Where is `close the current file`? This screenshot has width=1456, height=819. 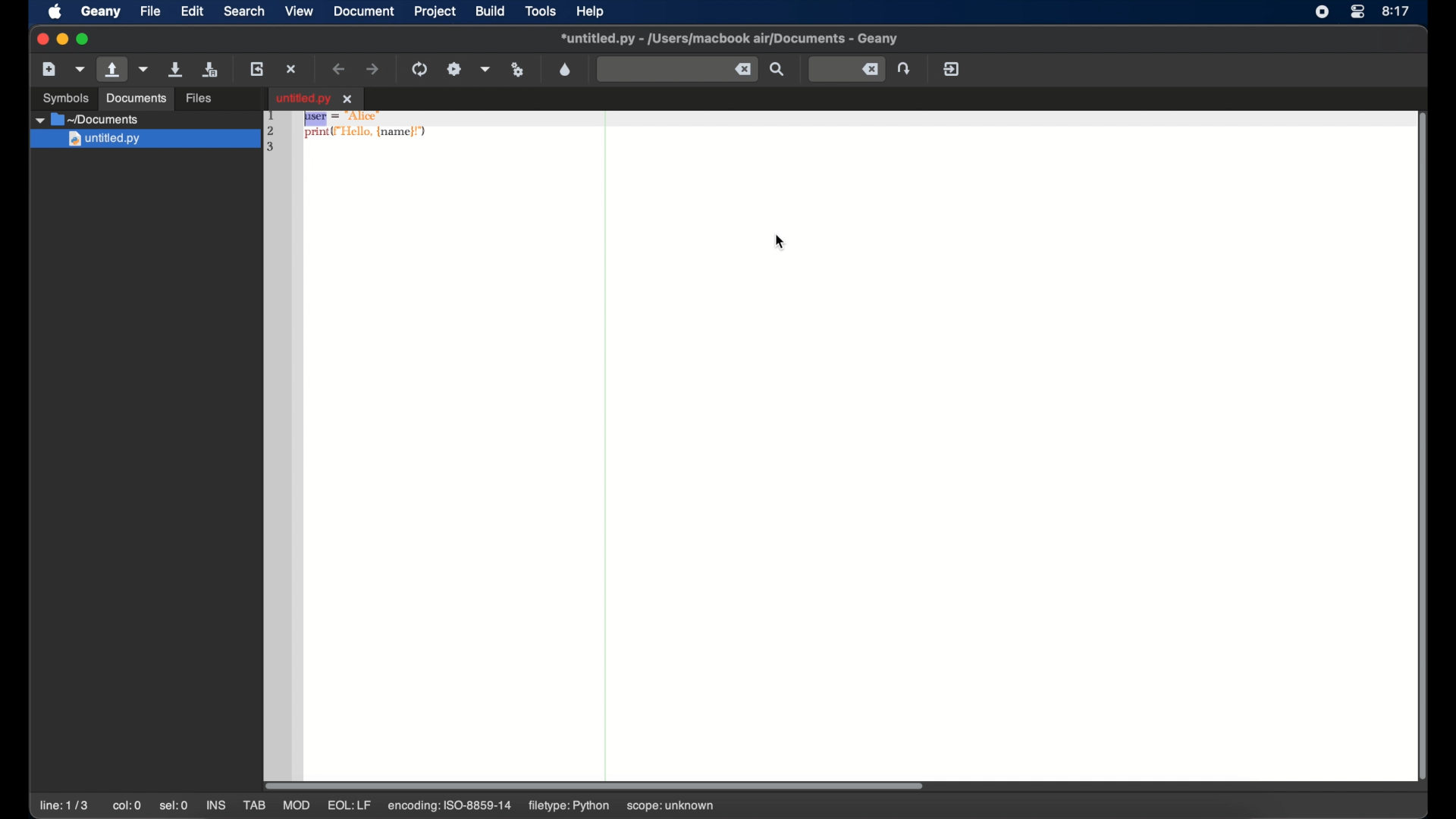 close the current file is located at coordinates (291, 68).